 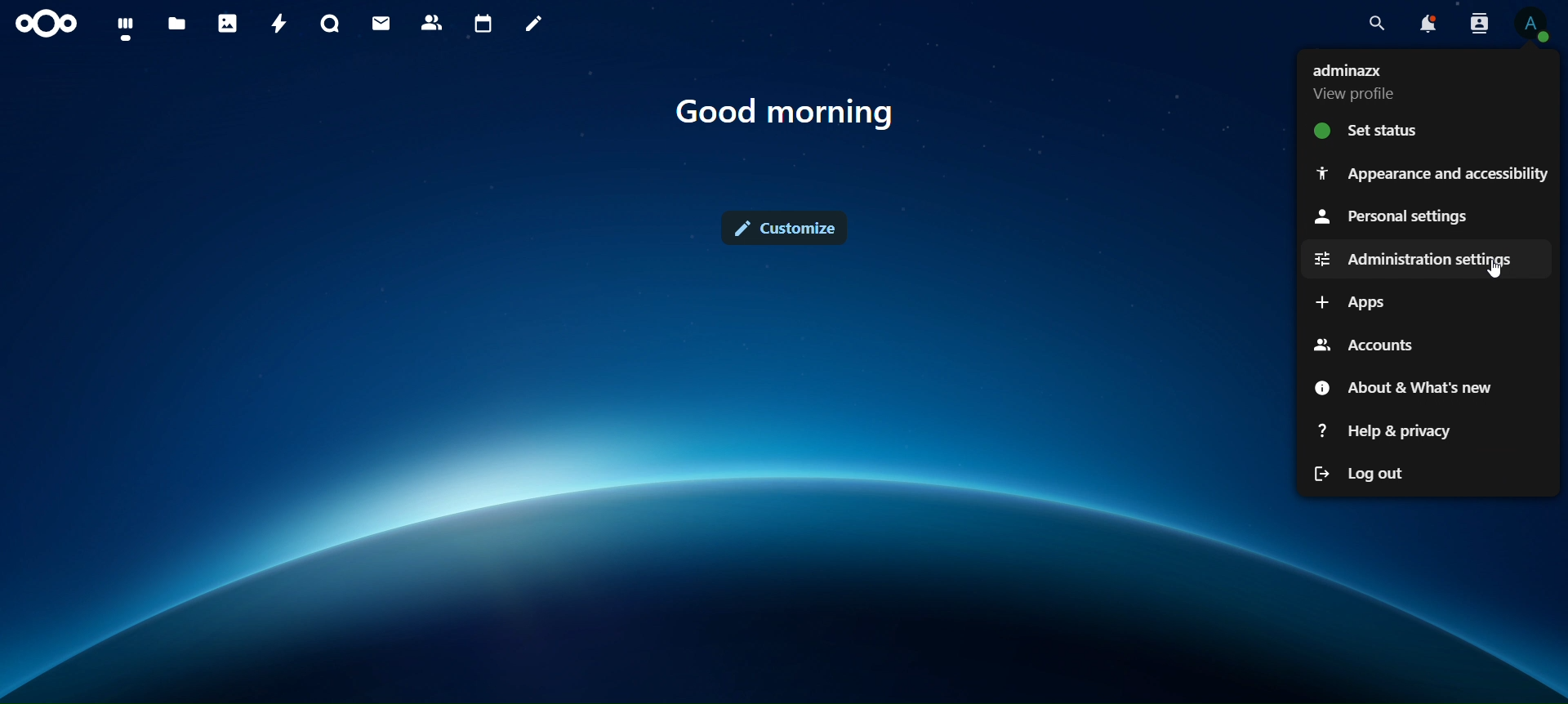 I want to click on activity, so click(x=280, y=23).